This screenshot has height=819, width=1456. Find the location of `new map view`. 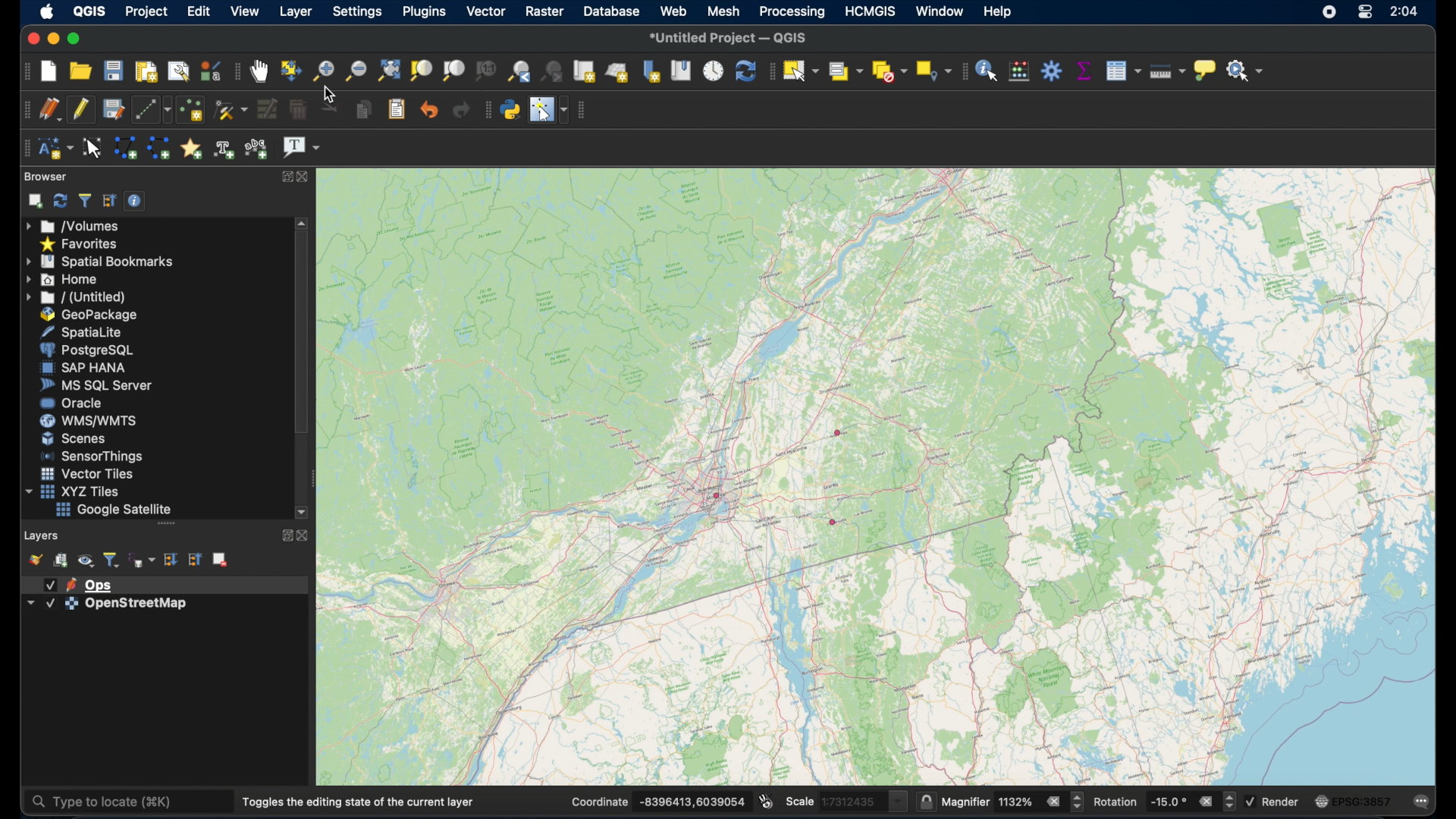

new map view is located at coordinates (583, 71).